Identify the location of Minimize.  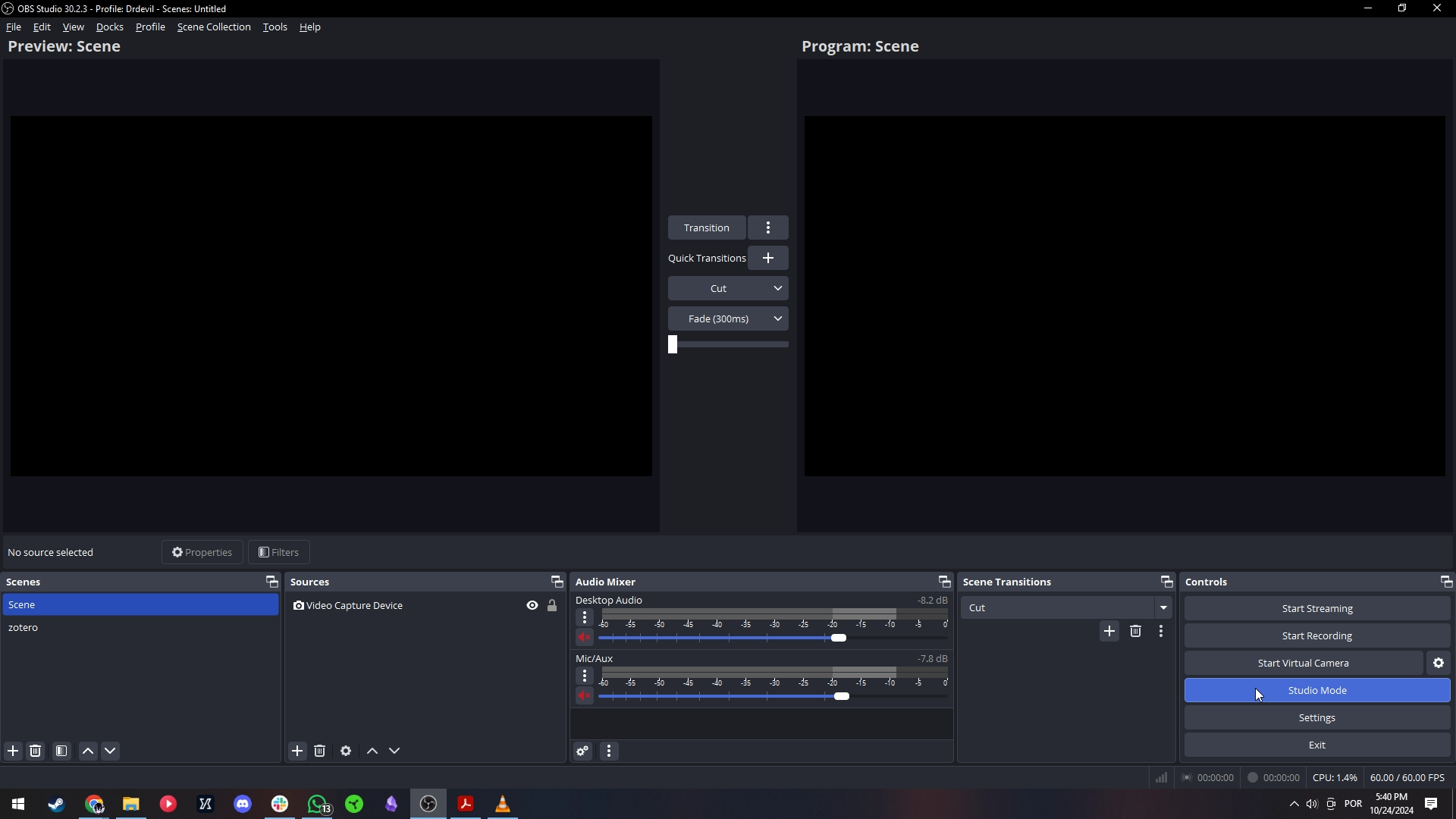
(1367, 9).